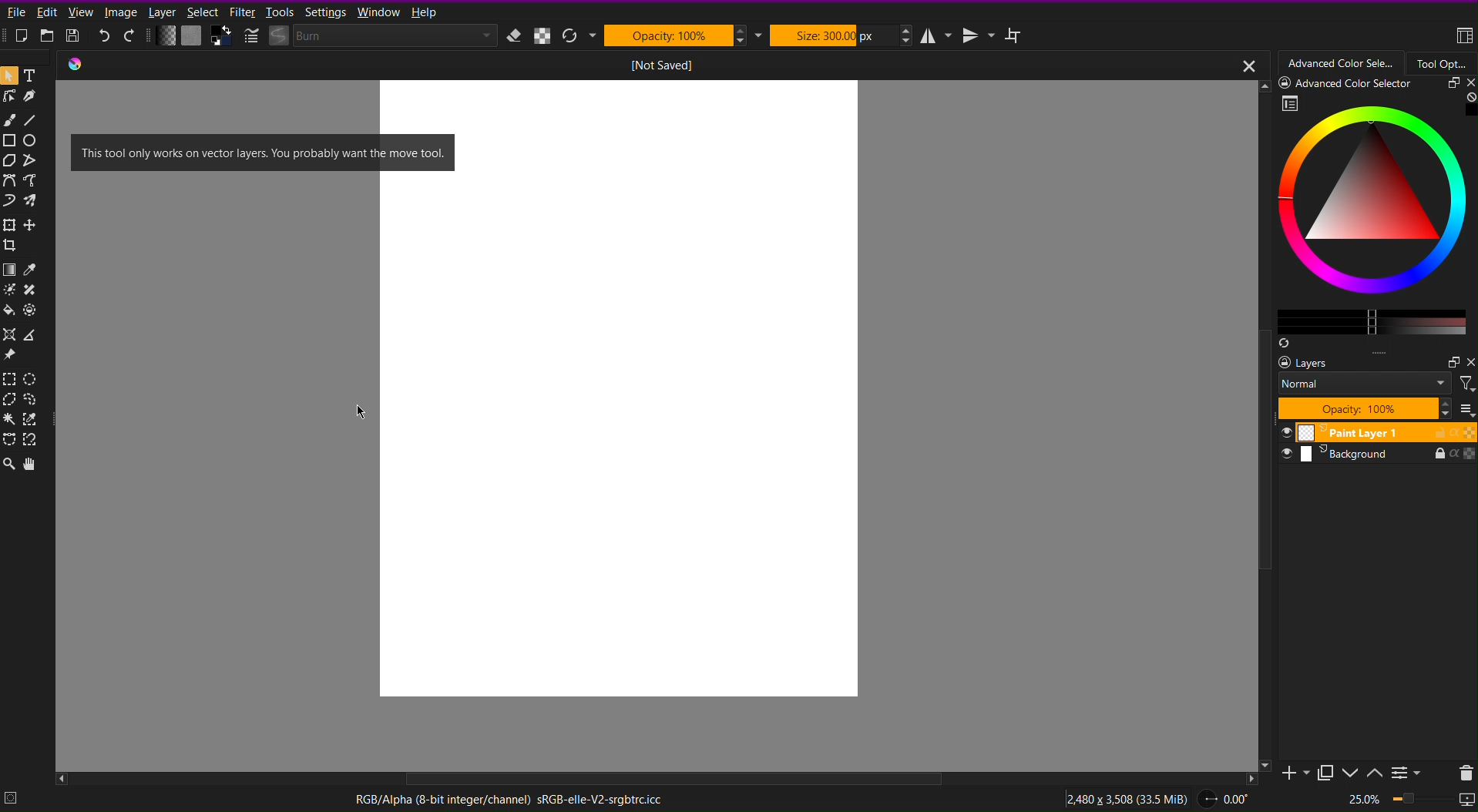 This screenshot has height=812, width=1478. I want to click on Slides, so click(1376, 444).